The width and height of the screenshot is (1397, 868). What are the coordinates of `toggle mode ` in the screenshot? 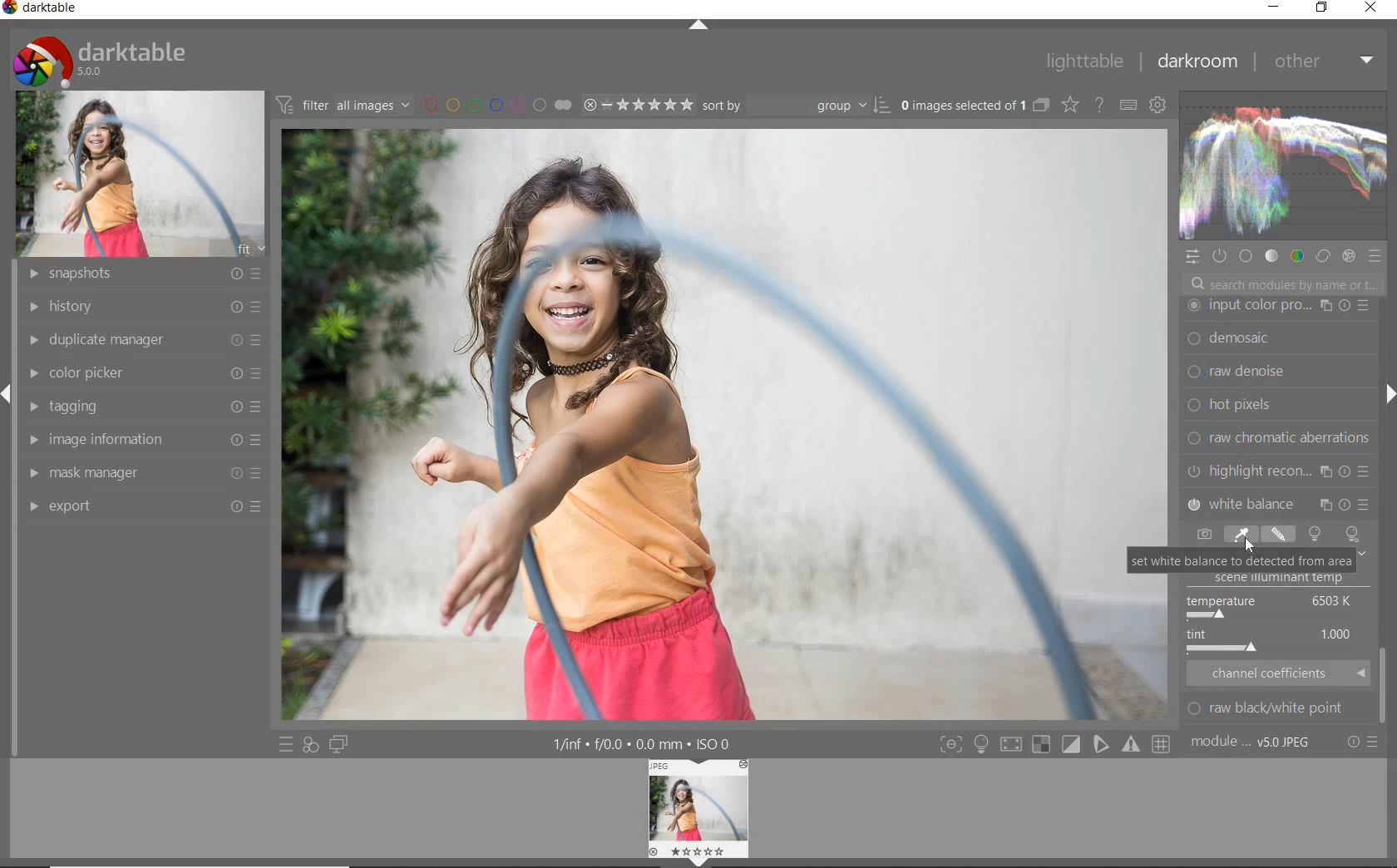 It's located at (1163, 744).